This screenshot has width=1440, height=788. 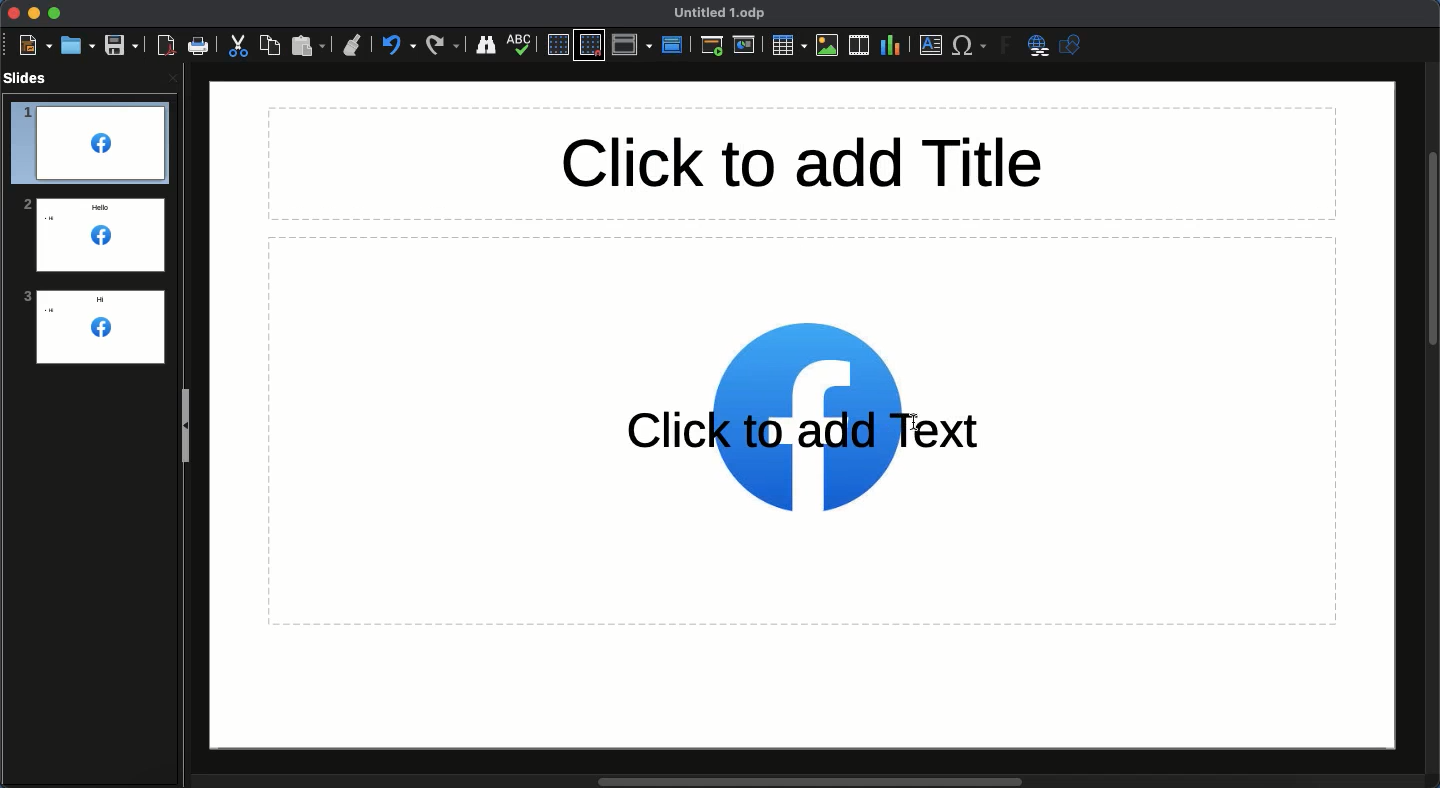 What do you see at coordinates (858, 47) in the screenshot?
I see `Audio or video` at bounding box center [858, 47].